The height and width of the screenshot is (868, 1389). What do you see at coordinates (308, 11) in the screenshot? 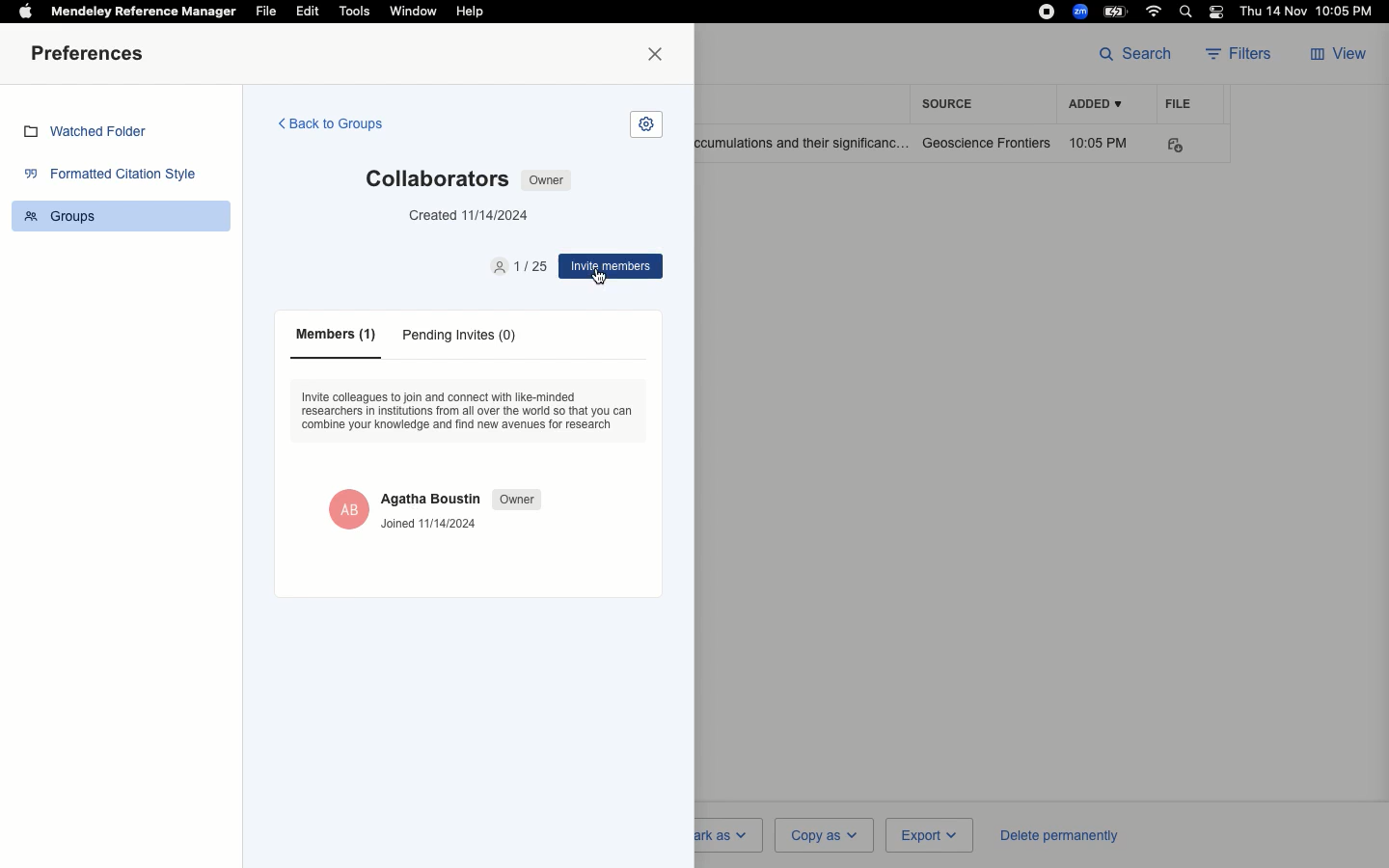
I see `Edit` at bounding box center [308, 11].